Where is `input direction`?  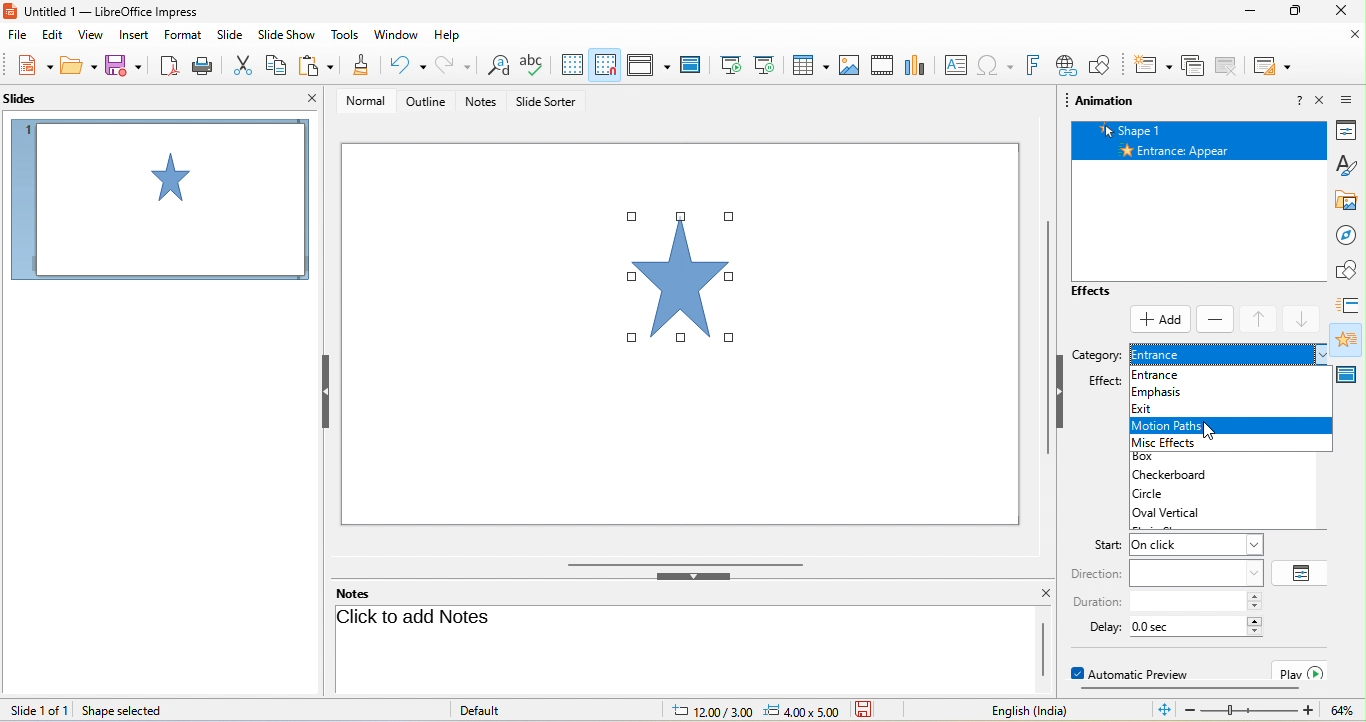
input direction is located at coordinates (1196, 572).